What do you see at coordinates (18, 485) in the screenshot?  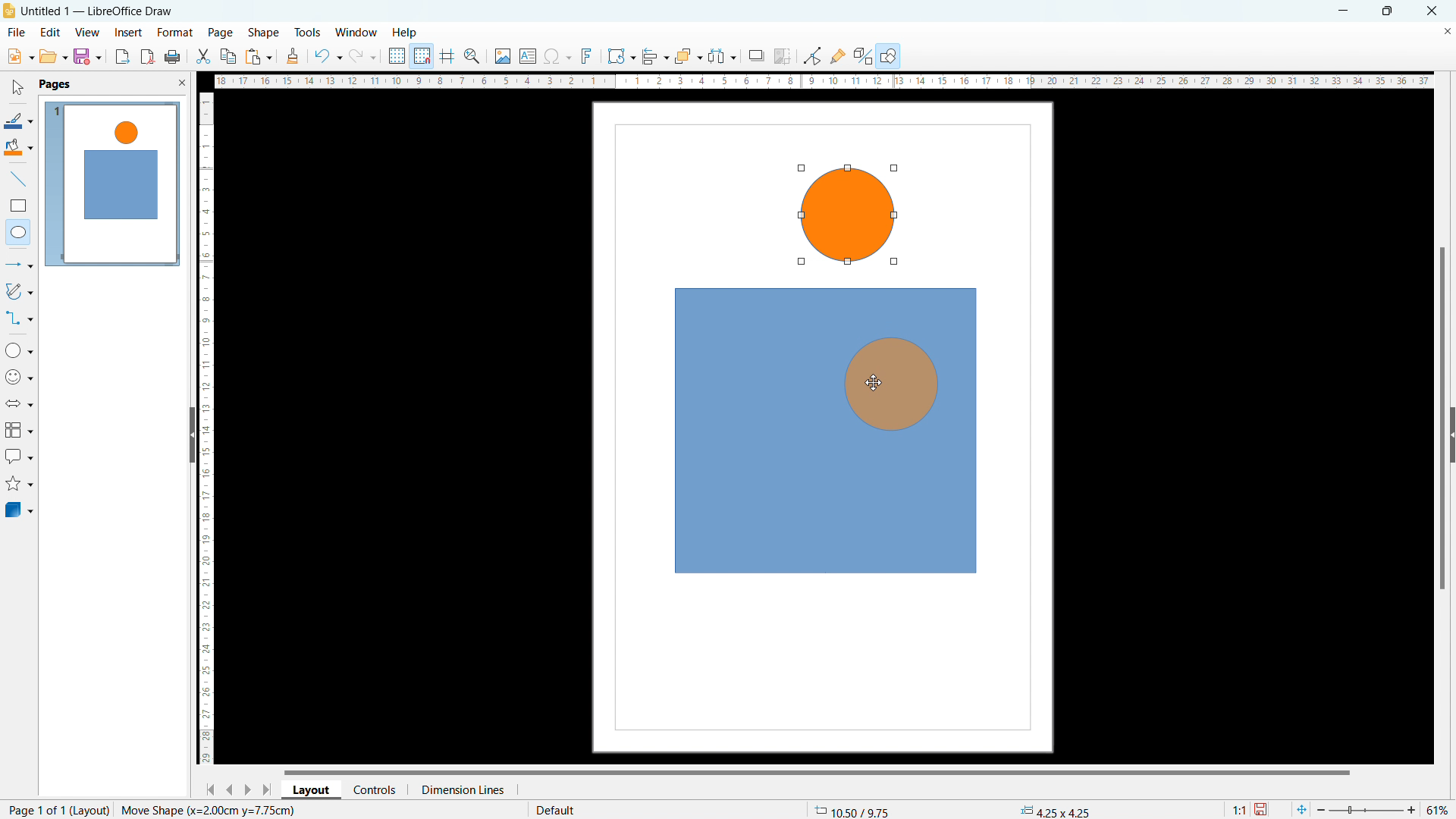 I see `stars and banners` at bounding box center [18, 485].